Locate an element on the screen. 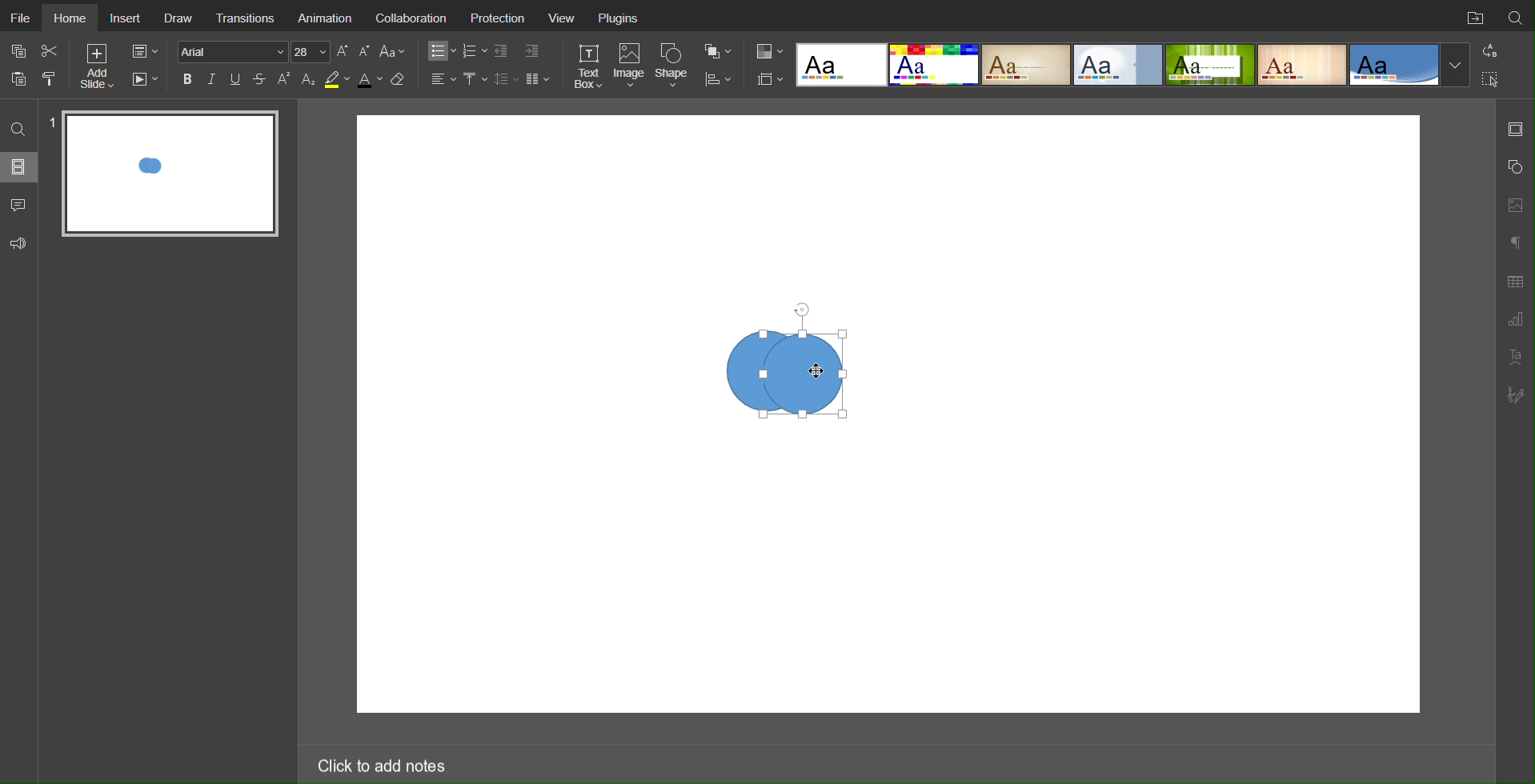 The height and width of the screenshot is (784, 1535). Superscript is located at coordinates (285, 79).